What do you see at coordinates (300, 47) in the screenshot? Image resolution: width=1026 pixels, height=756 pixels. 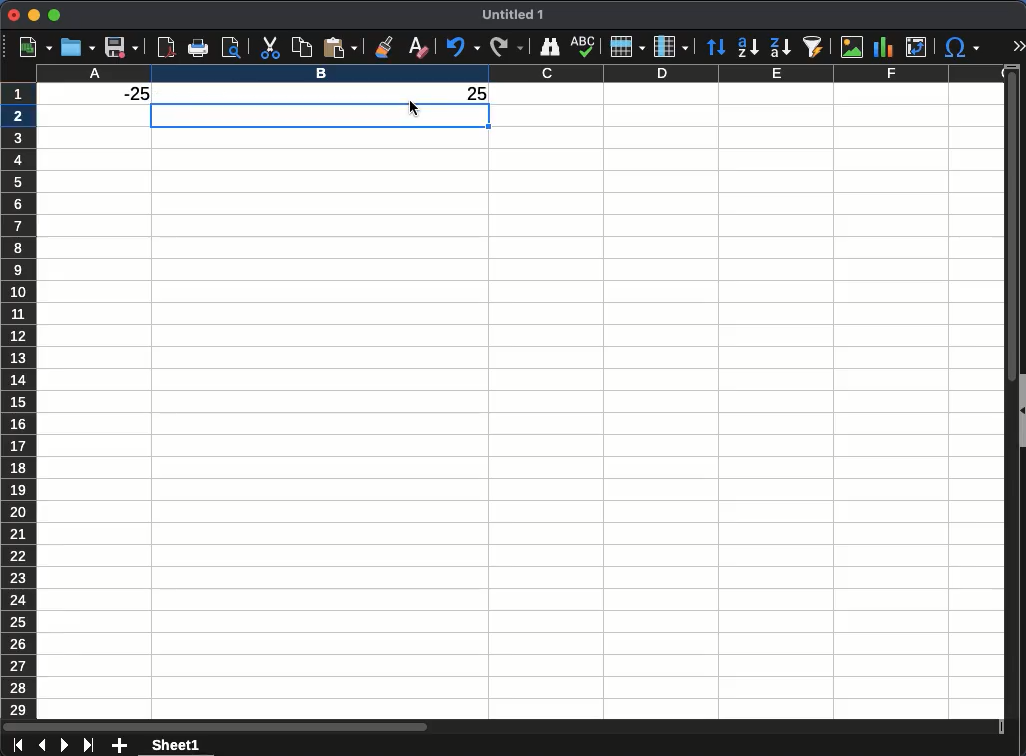 I see `paste` at bounding box center [300, 47].